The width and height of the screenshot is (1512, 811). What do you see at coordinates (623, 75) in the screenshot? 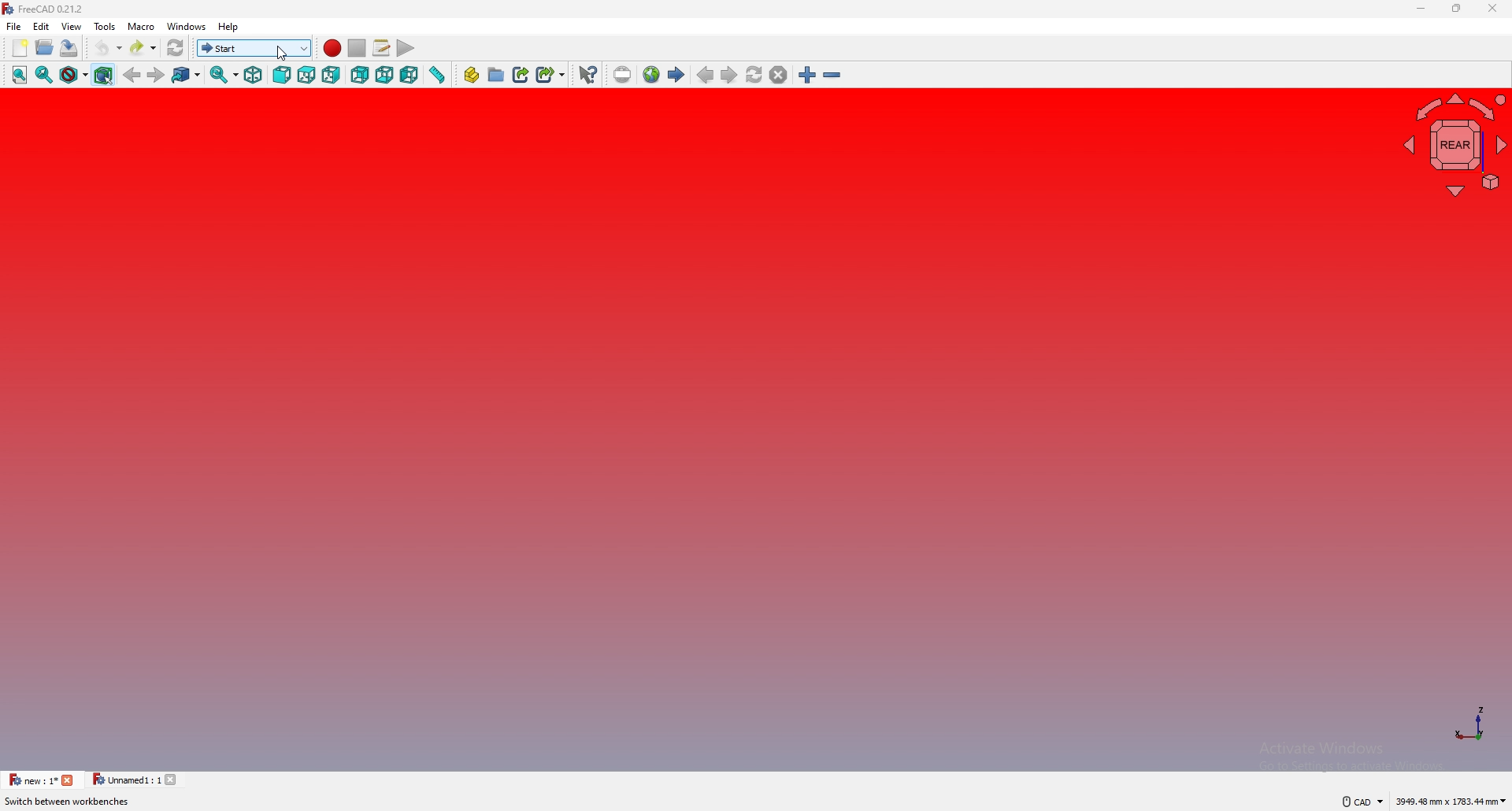
I see `set url` at bounding box center [623, 75].